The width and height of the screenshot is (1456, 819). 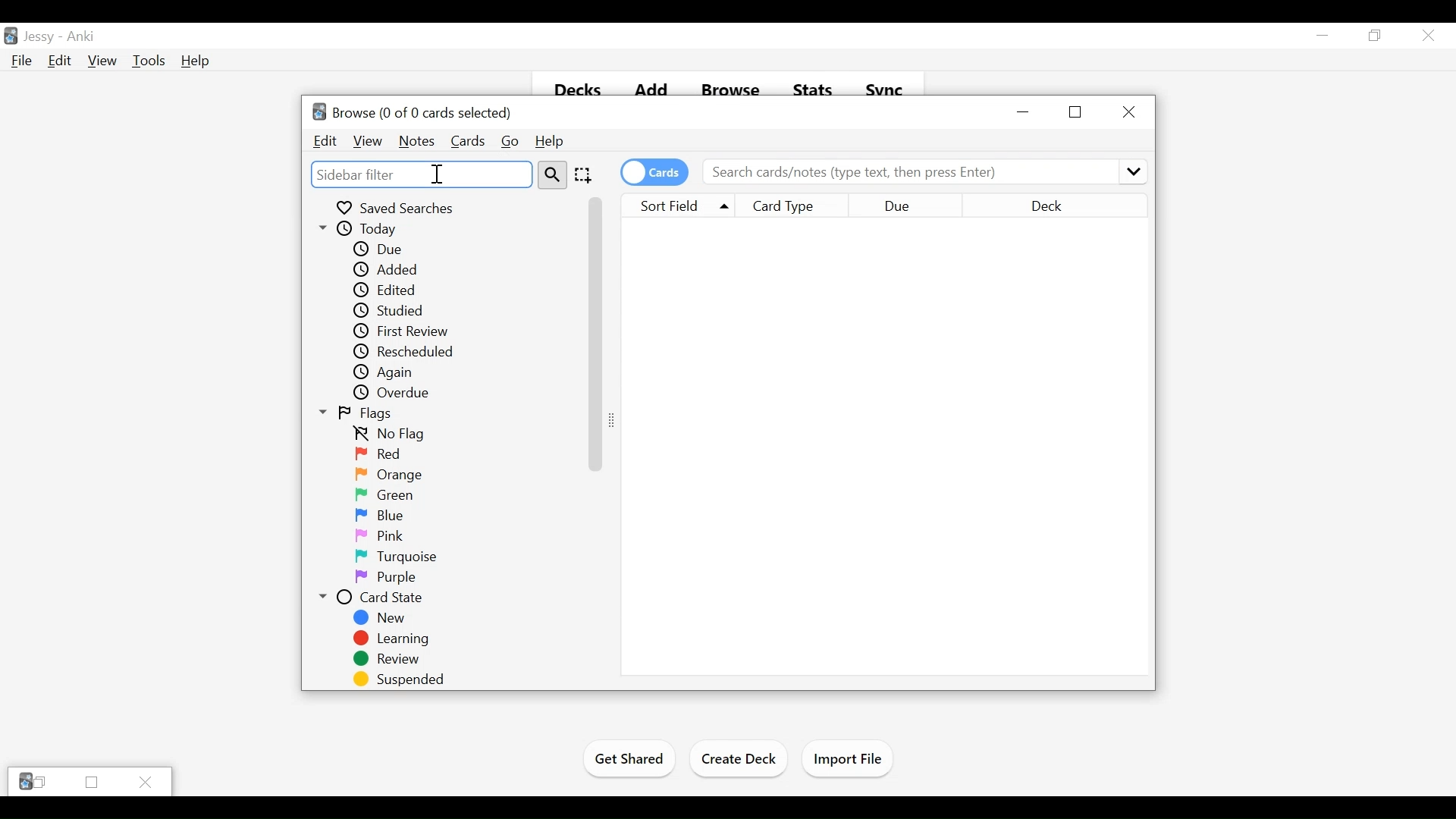 I want to click on Turquoise, so click(x=398, y=557).